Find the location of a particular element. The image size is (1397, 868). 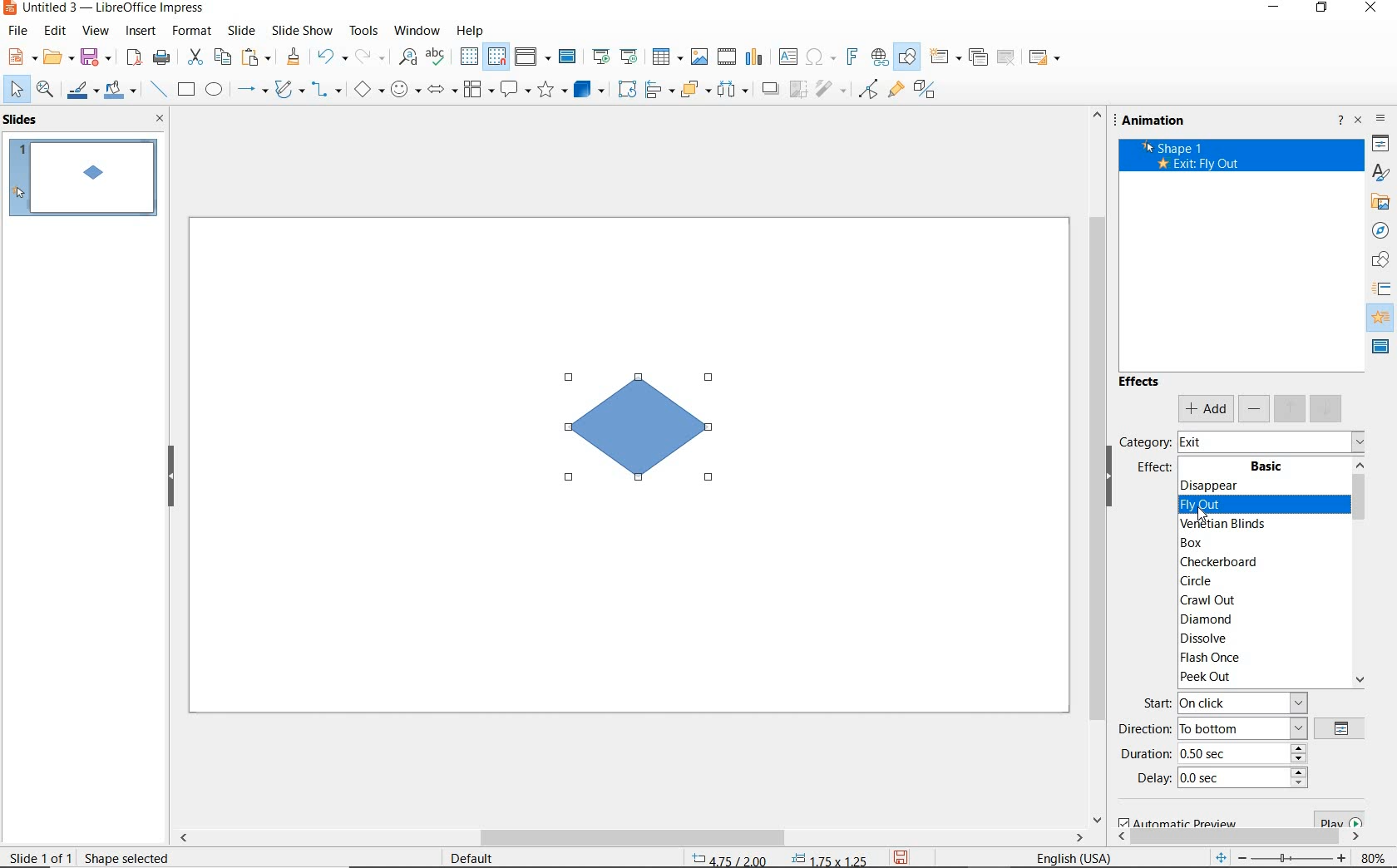

print is located at coordinates (160, 57).